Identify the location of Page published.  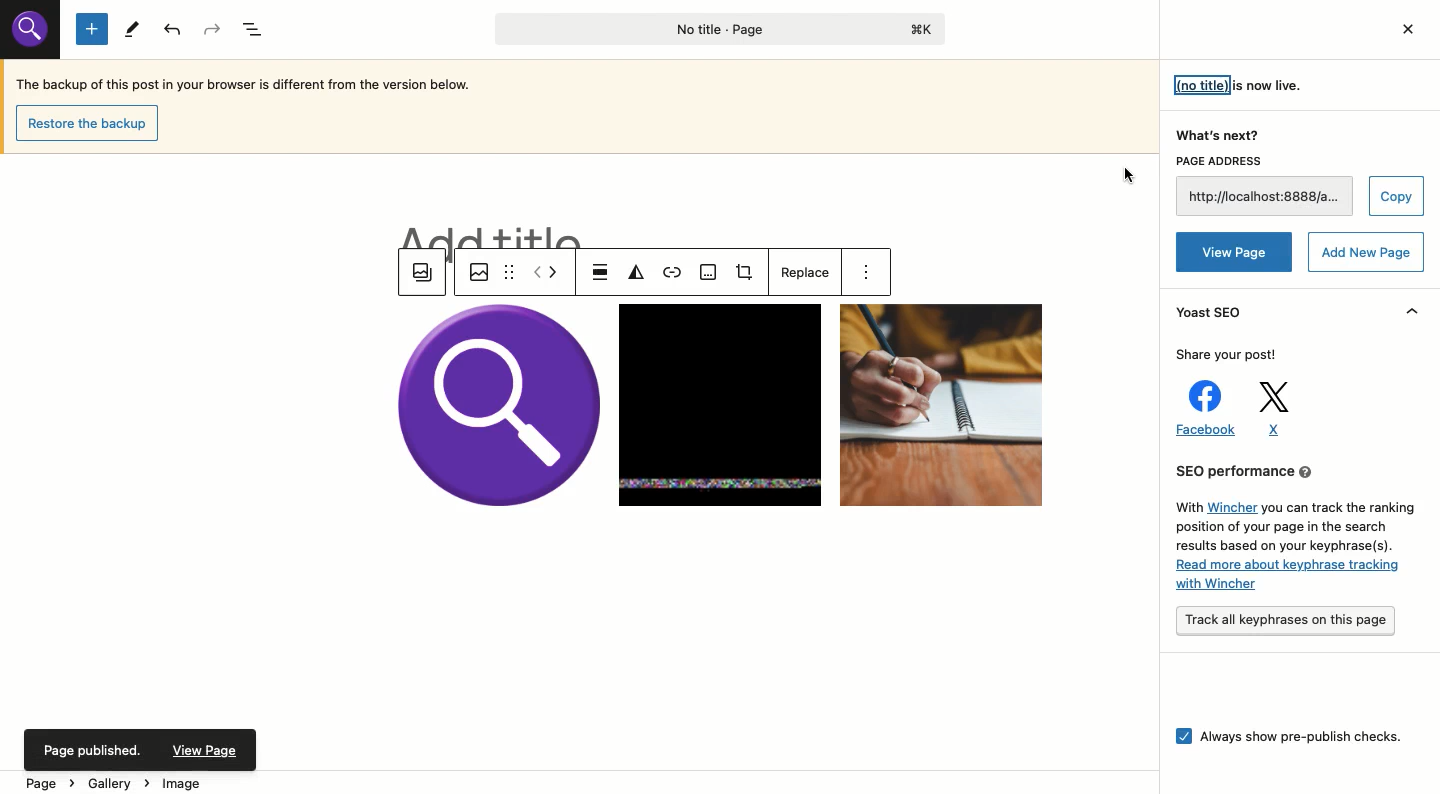
(140, 750).